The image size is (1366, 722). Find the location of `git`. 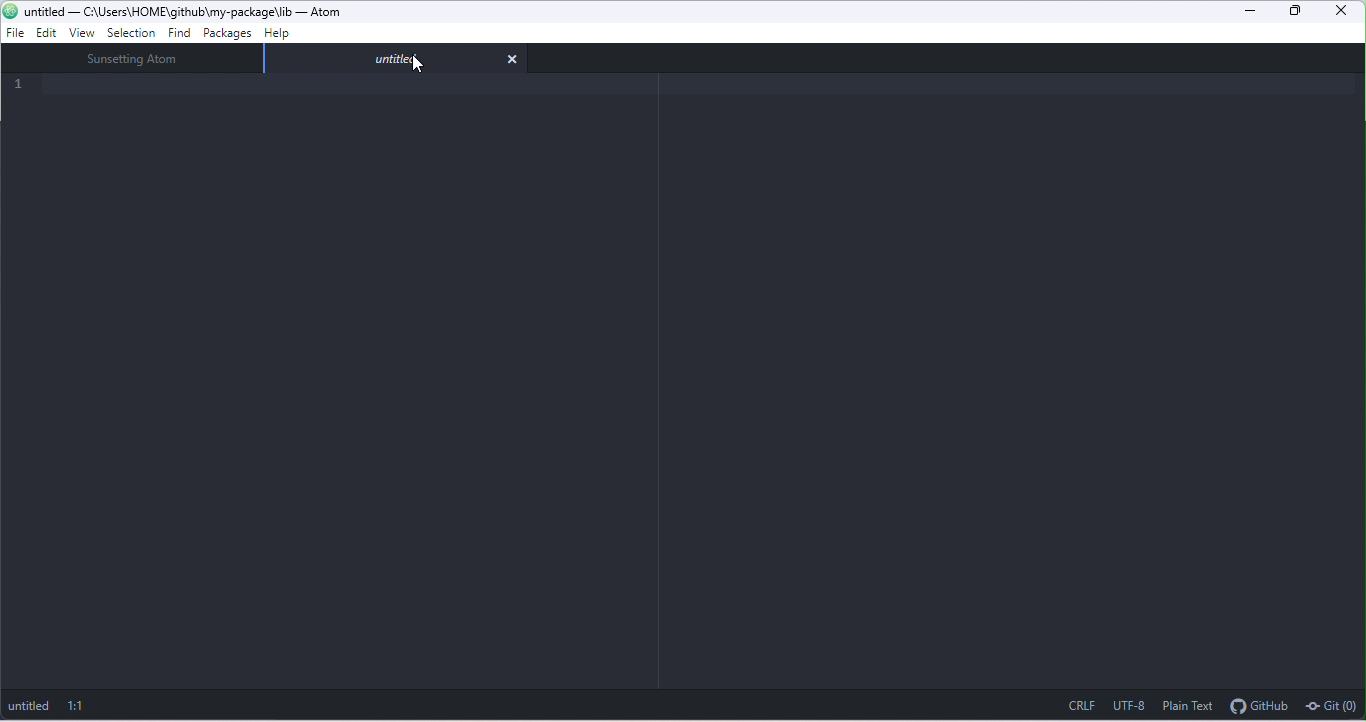

git is located at coordinates (1332, 703).